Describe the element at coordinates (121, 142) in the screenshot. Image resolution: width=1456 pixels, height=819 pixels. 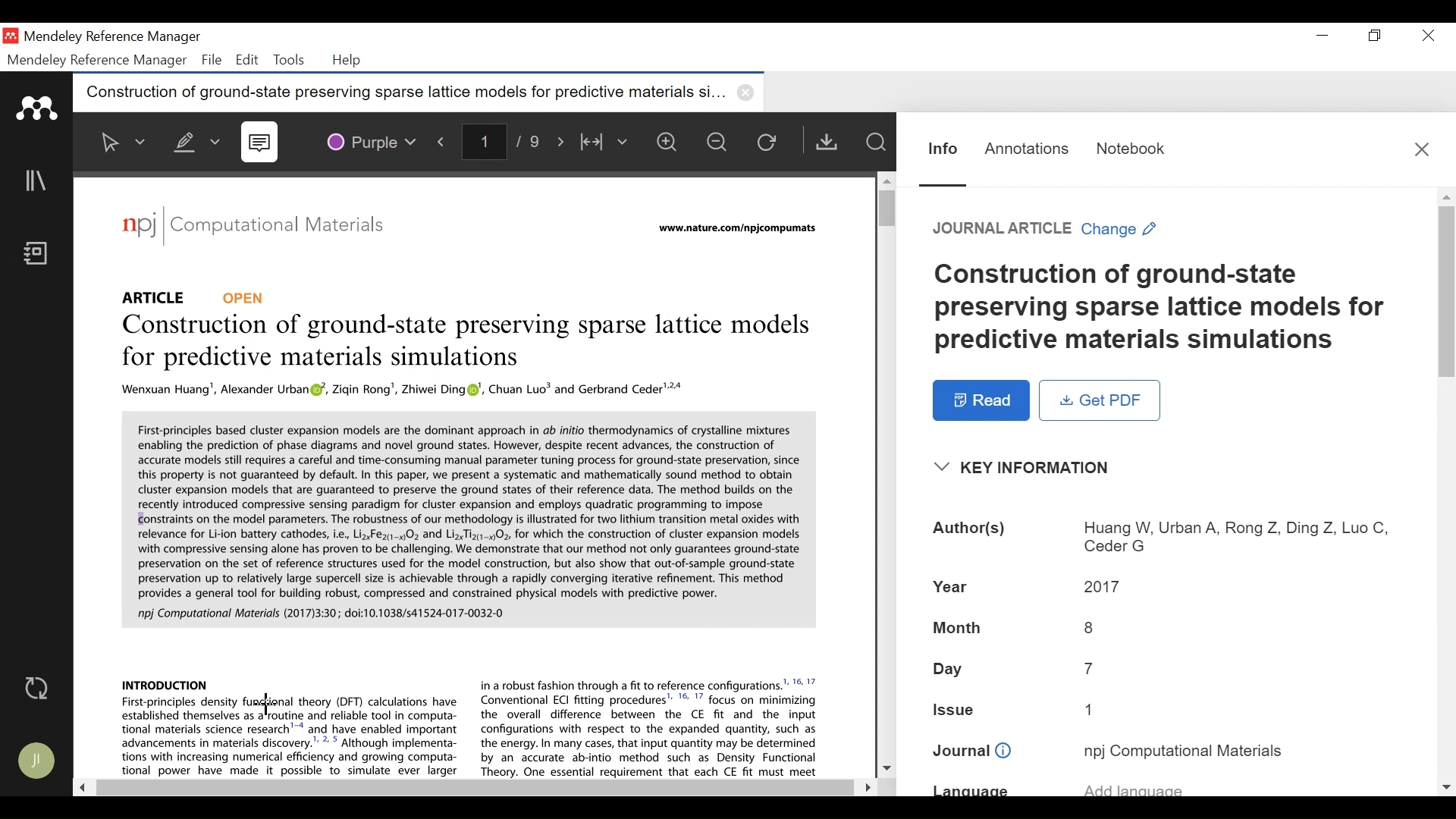
I see `Select` at that location.